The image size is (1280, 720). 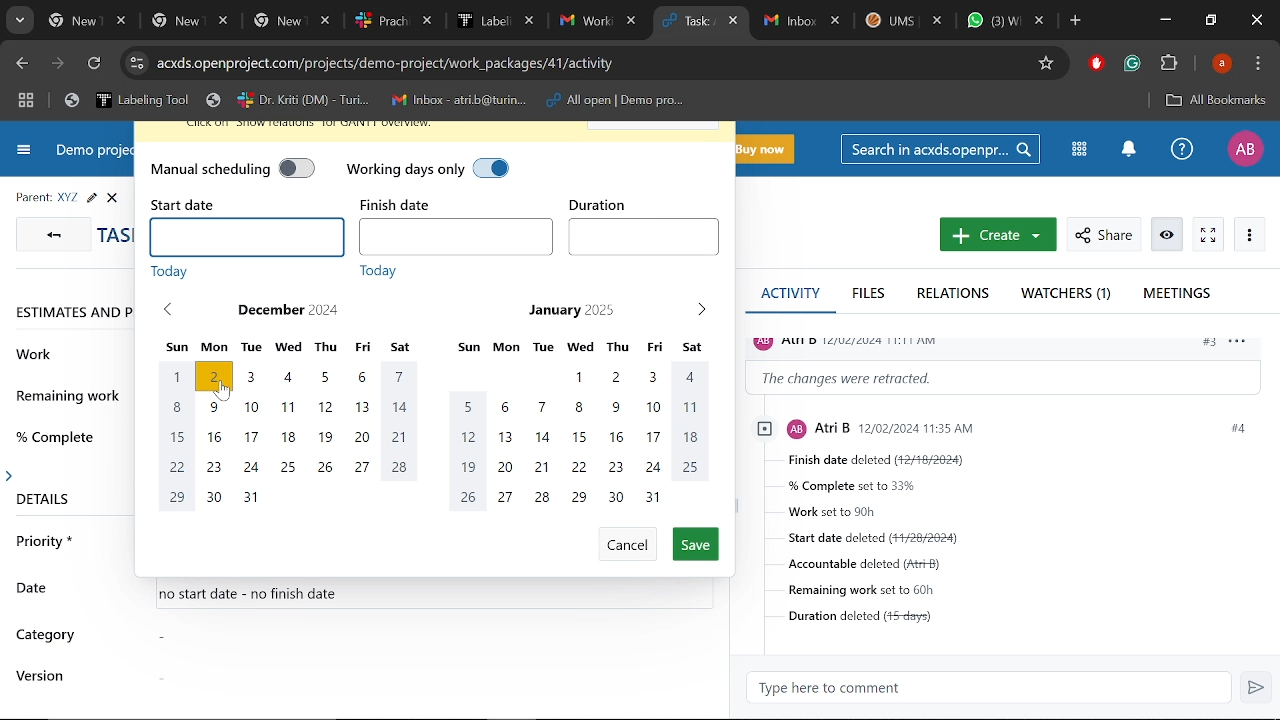 What do you see at coordinates (400, 166) in the screenshot?
I see `working days only` at bounding box center [400, 166].